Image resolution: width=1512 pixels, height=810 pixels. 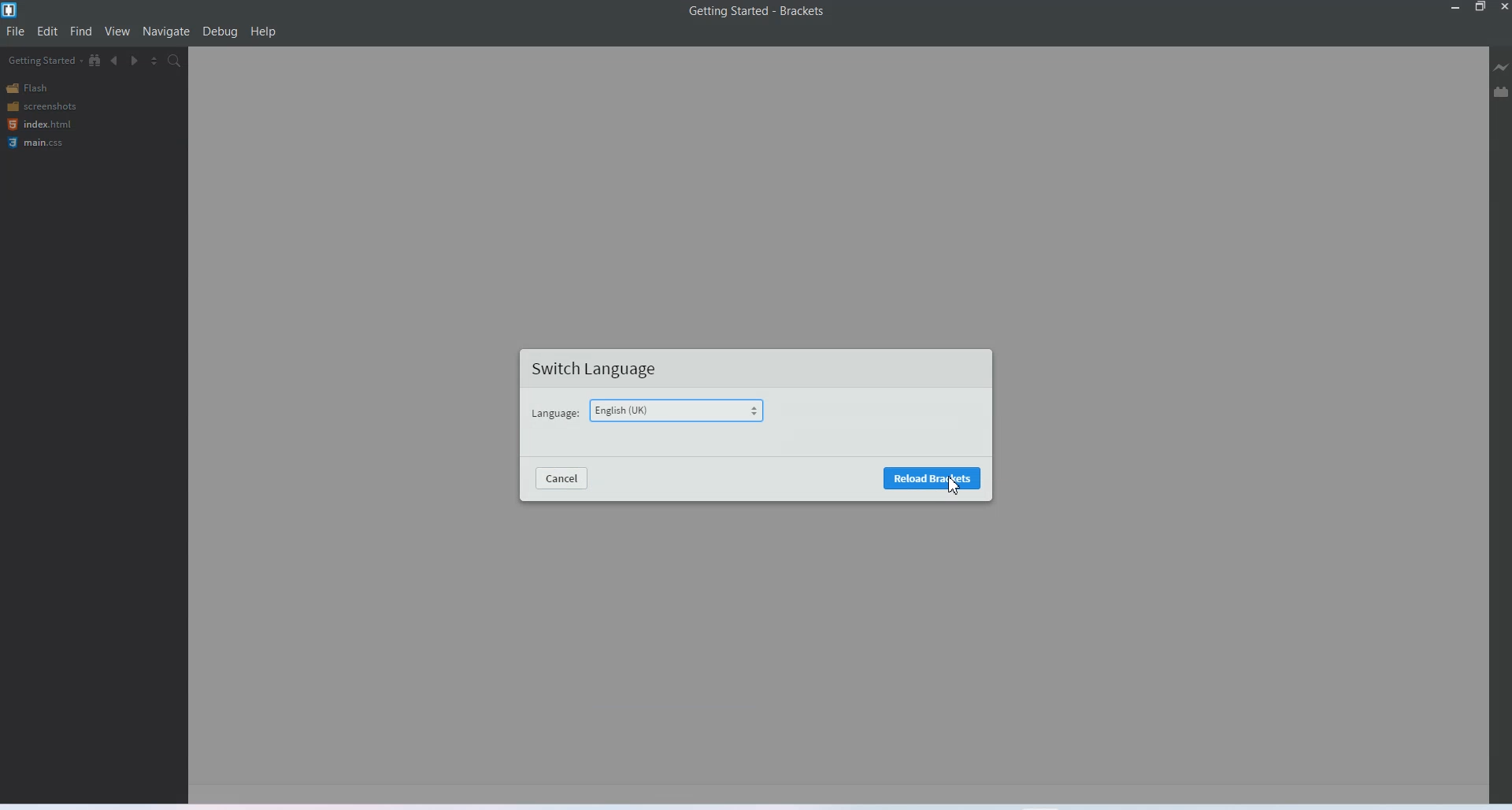 What do you see at coordinates (41, 106) in the screenshot?
I see `Screenshots` at bounding box center [41, 106].